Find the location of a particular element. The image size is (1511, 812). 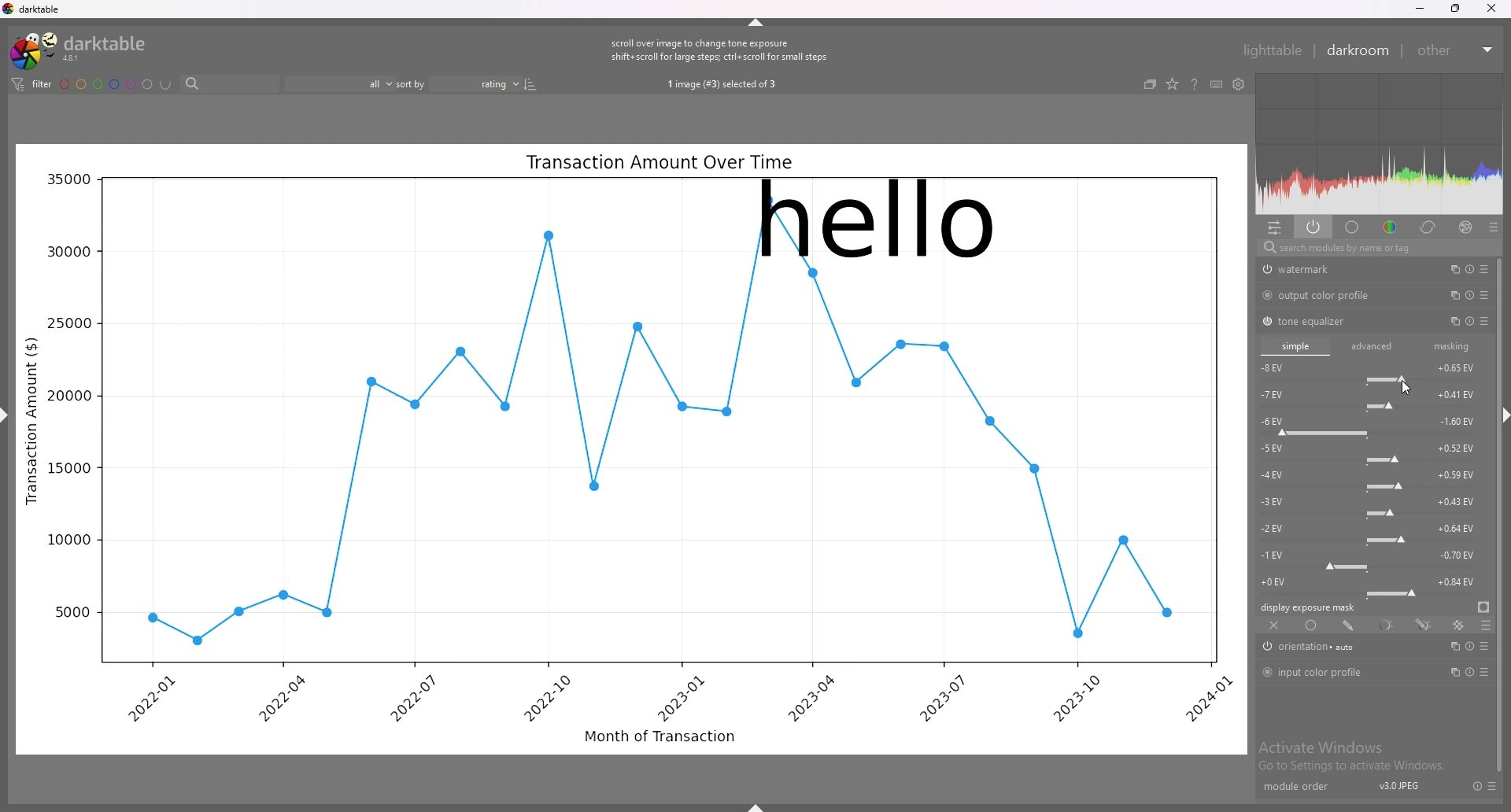

input color profile is located at coordinates (1325, 672).